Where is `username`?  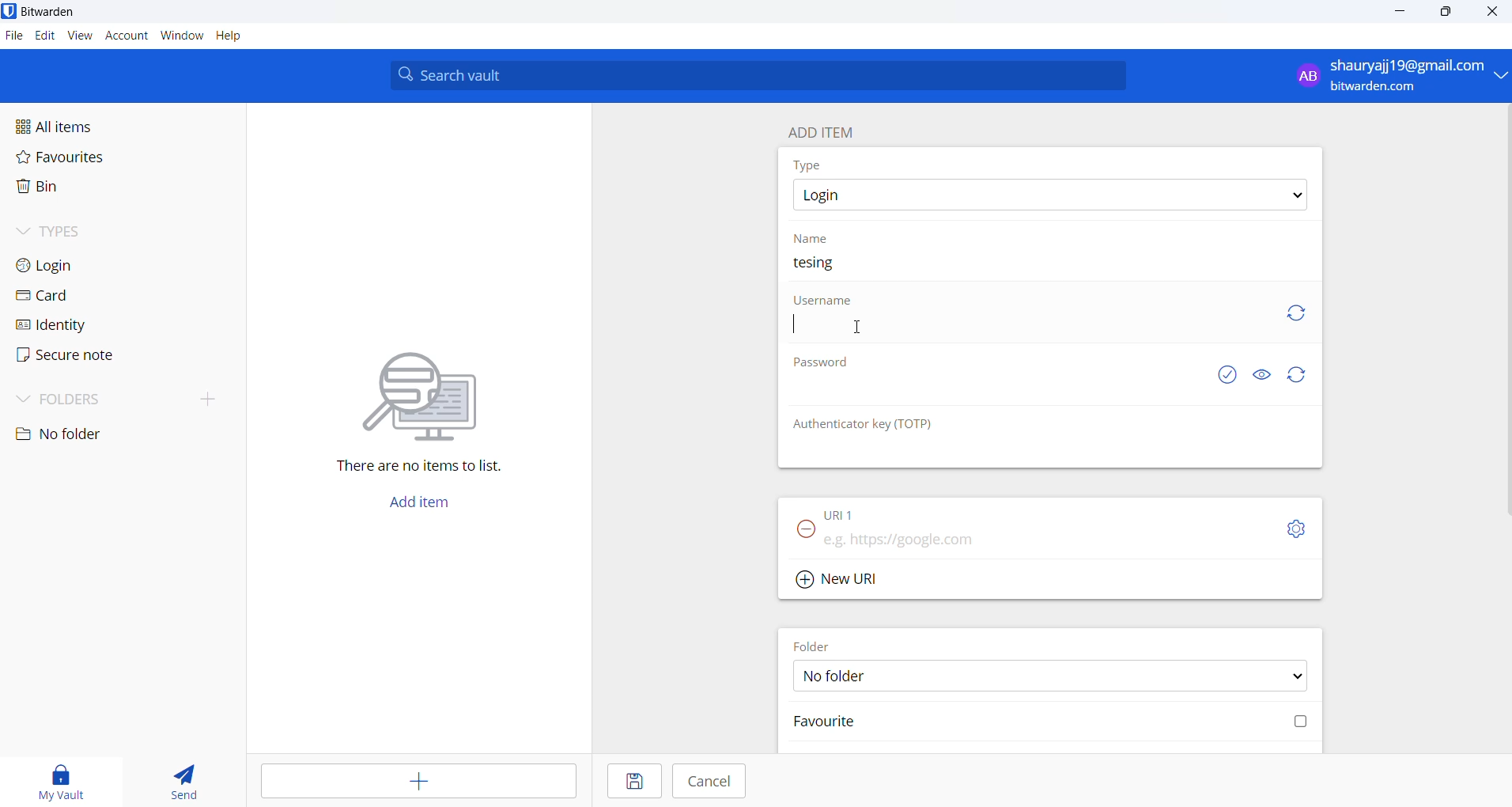
username is located at coordinates (824, 301).